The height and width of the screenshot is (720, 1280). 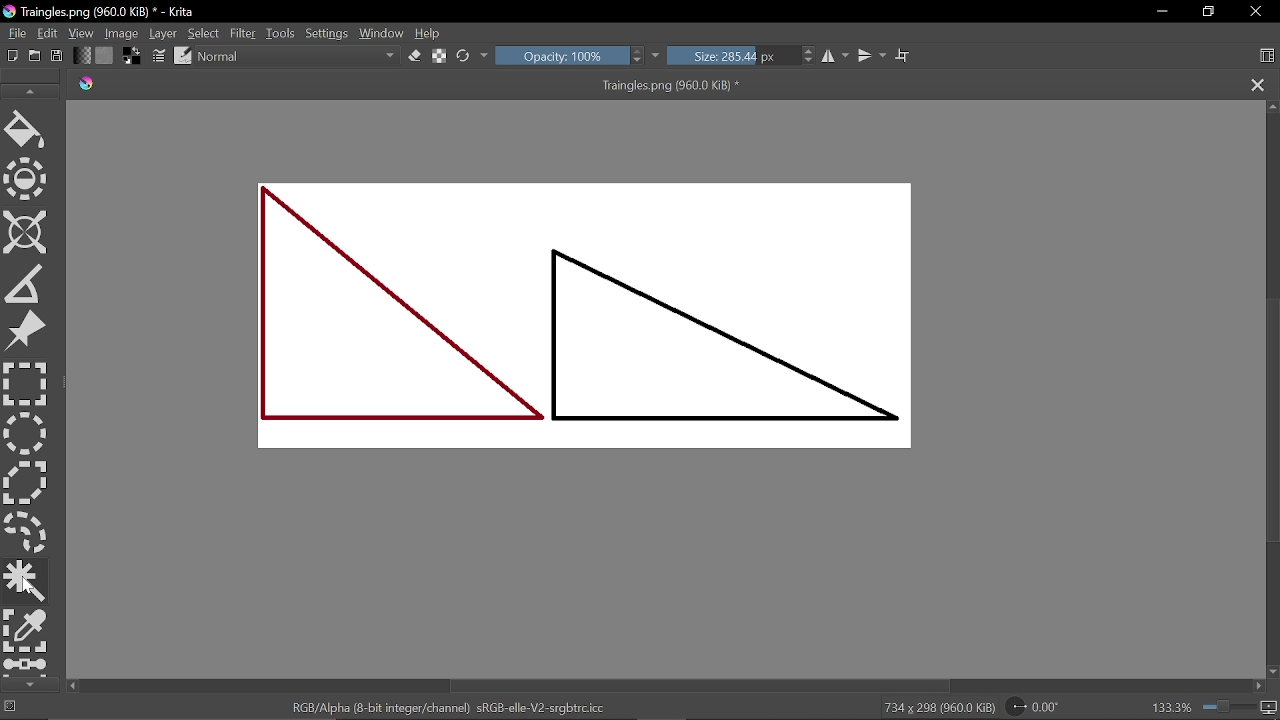 What do you see at coordinates (26, 333) in the screenshot?
I see `Refference tool` at bounding box center [26, 333].